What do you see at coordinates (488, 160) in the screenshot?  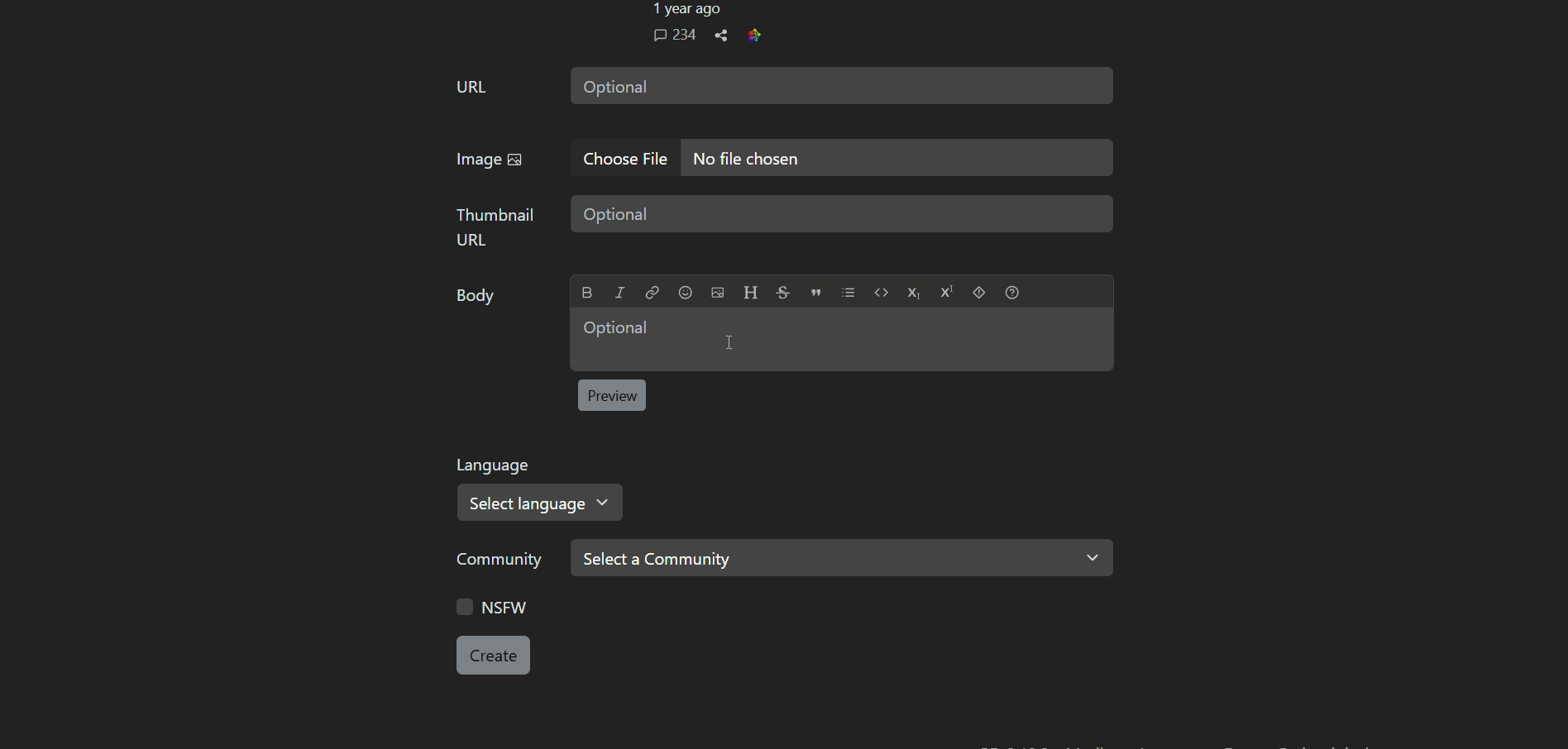 I see `image` at bounding box center [488, 160].